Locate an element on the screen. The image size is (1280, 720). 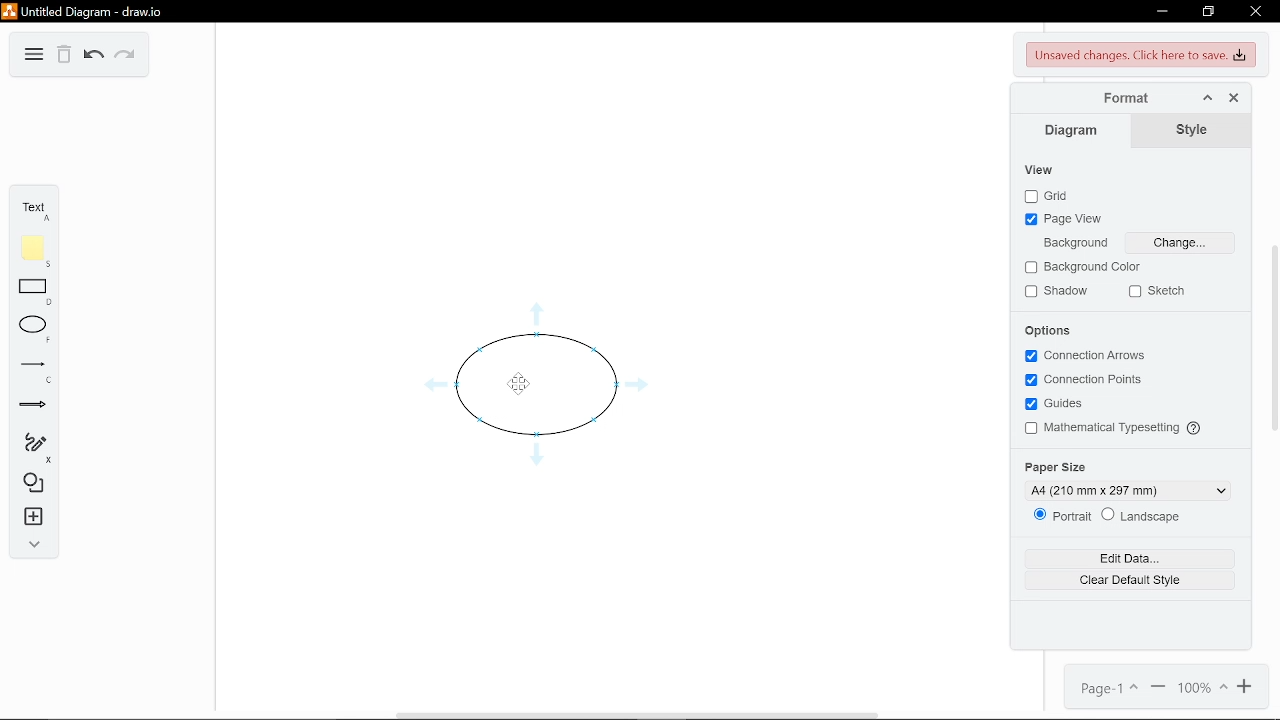
Change is located at coordinates (1179, 243).